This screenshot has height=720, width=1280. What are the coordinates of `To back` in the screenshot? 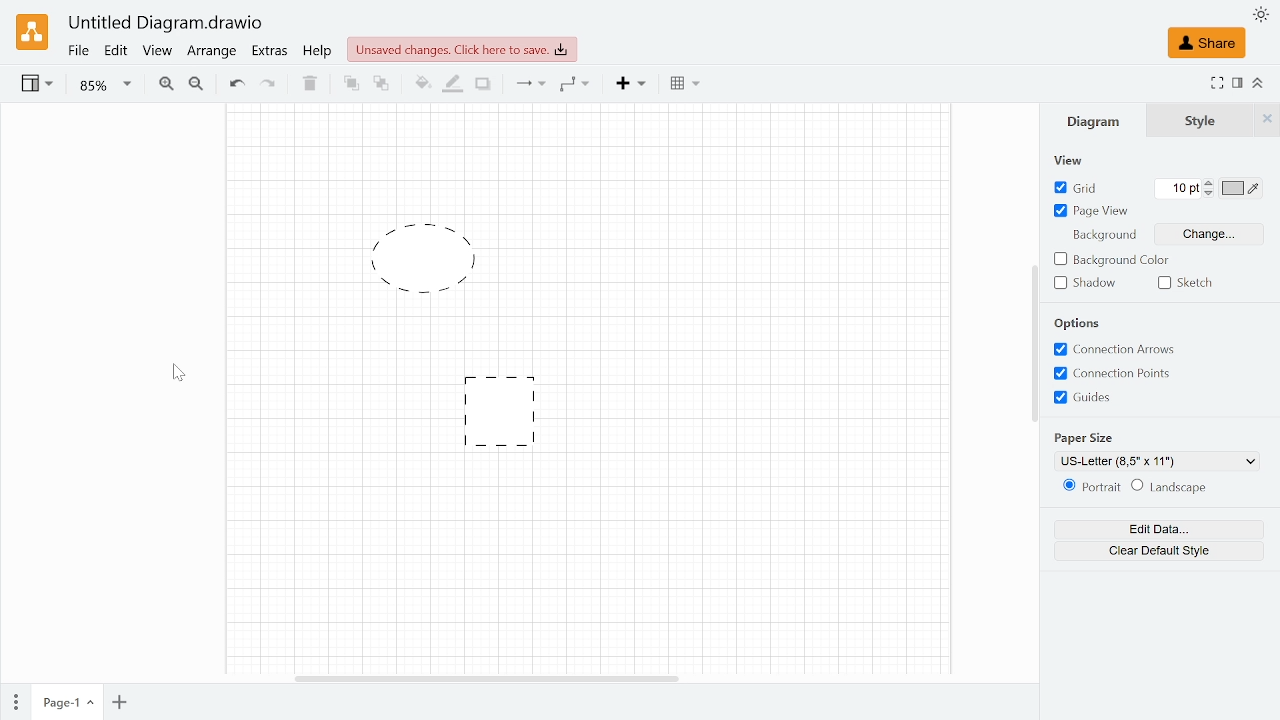 It's located at (381, 84).